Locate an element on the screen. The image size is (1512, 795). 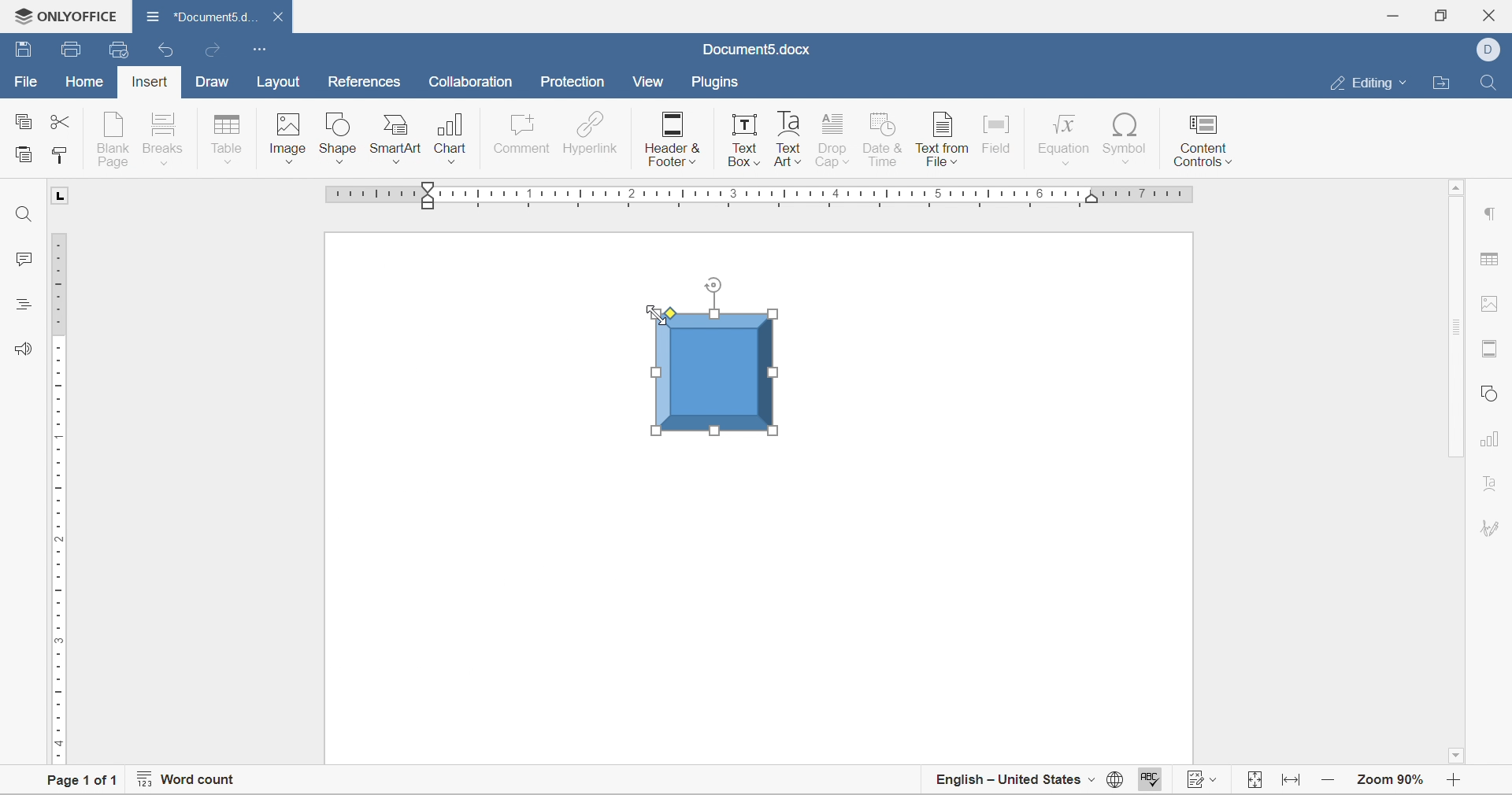
undo is located at coordinates (165, 50).